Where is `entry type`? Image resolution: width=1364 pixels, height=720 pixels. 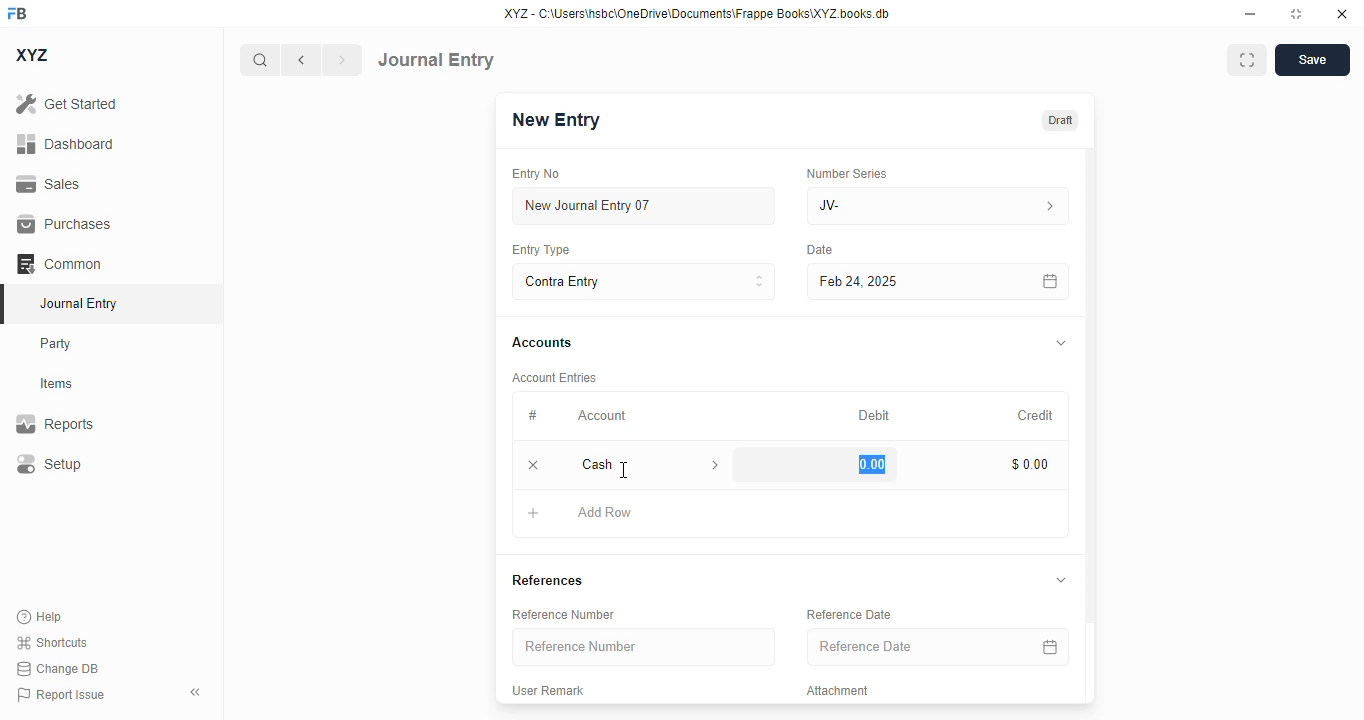 entry type is located at coordinates (542, 250).